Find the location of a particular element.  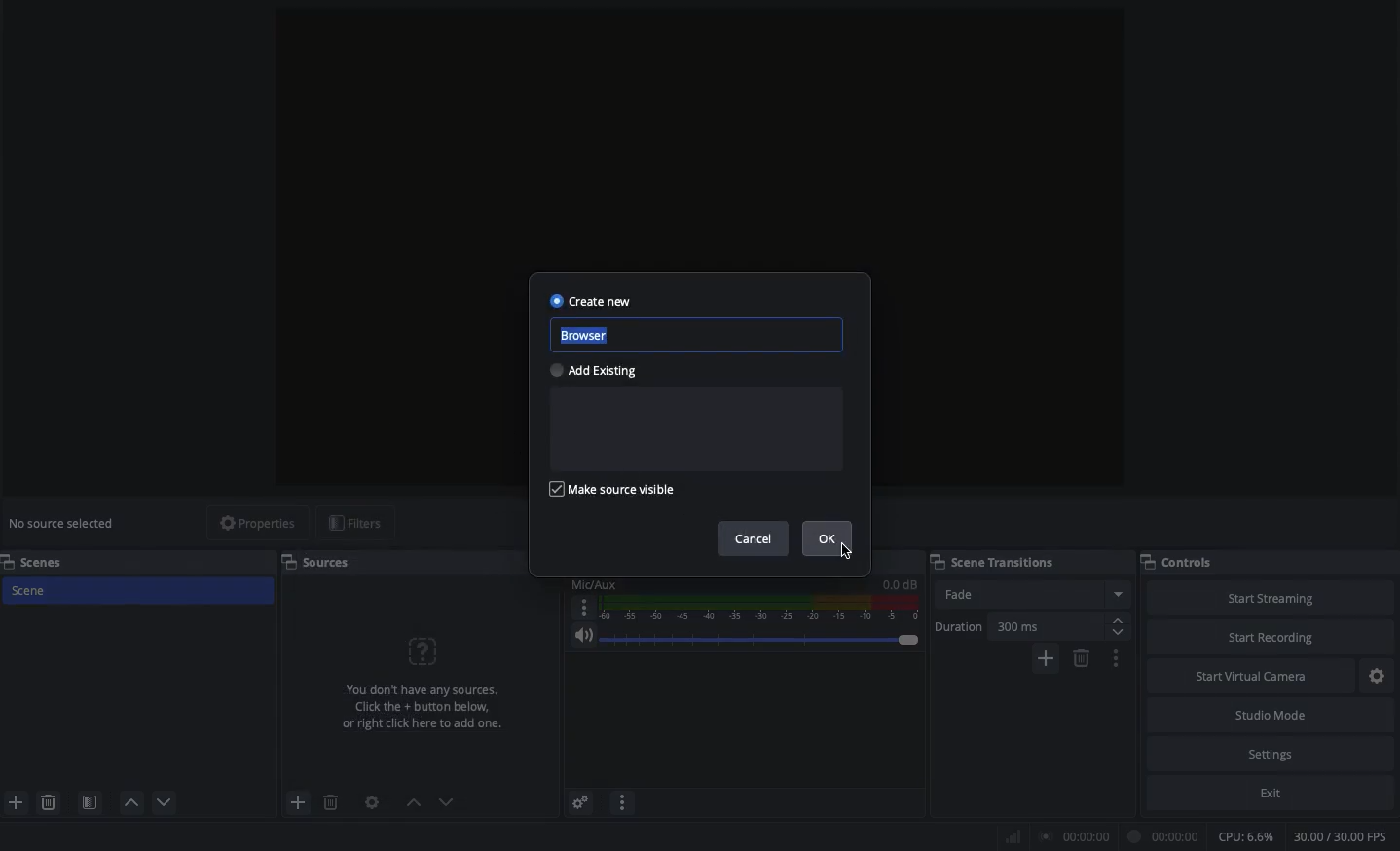

Sources is located at coordinates (323, 562).